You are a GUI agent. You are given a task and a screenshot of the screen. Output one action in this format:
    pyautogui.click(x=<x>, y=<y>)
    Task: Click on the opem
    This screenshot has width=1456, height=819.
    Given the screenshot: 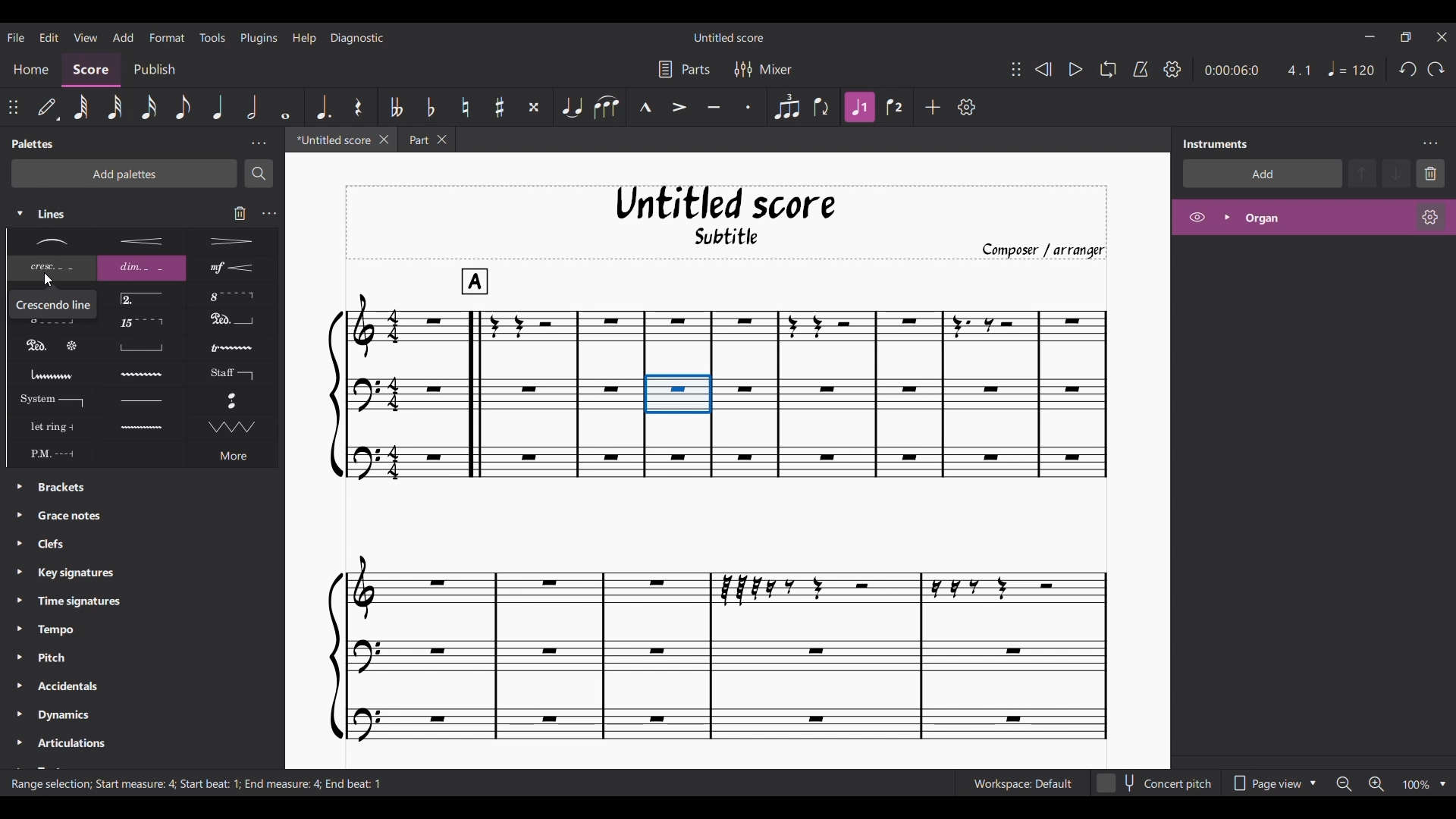 What is the action you would take?
    pyautogui.click(x=1314, y=219)
    